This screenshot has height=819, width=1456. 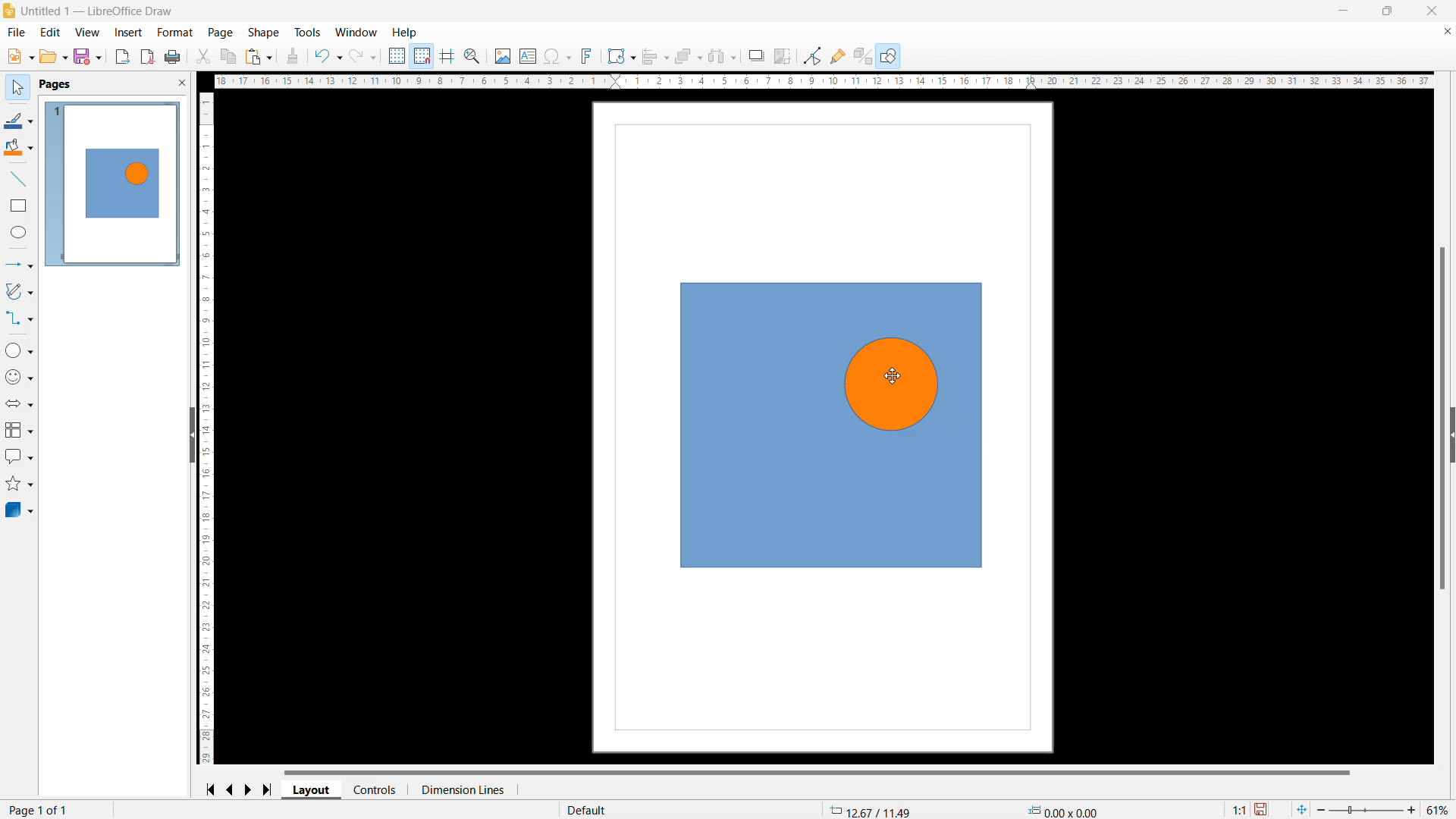 I want to click on line color, so click(x=19, y=121).